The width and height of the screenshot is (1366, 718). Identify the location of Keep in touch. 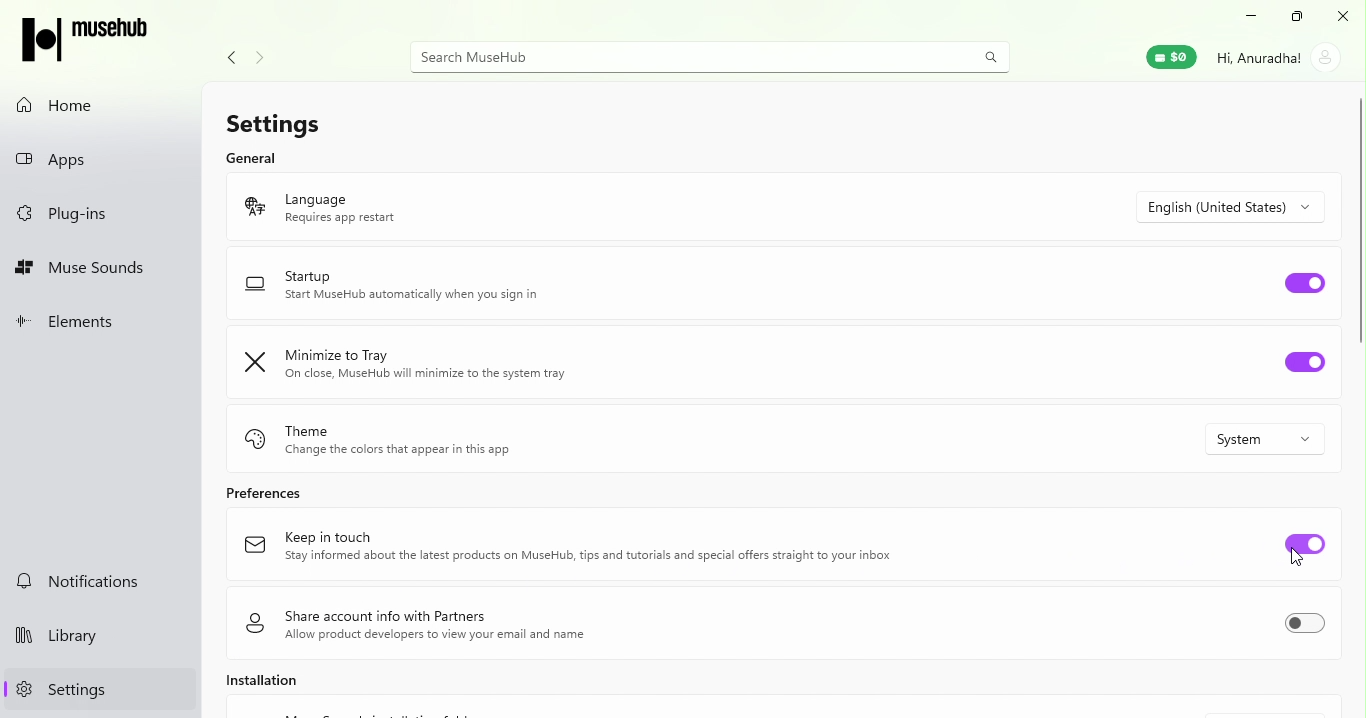
(620, 548).